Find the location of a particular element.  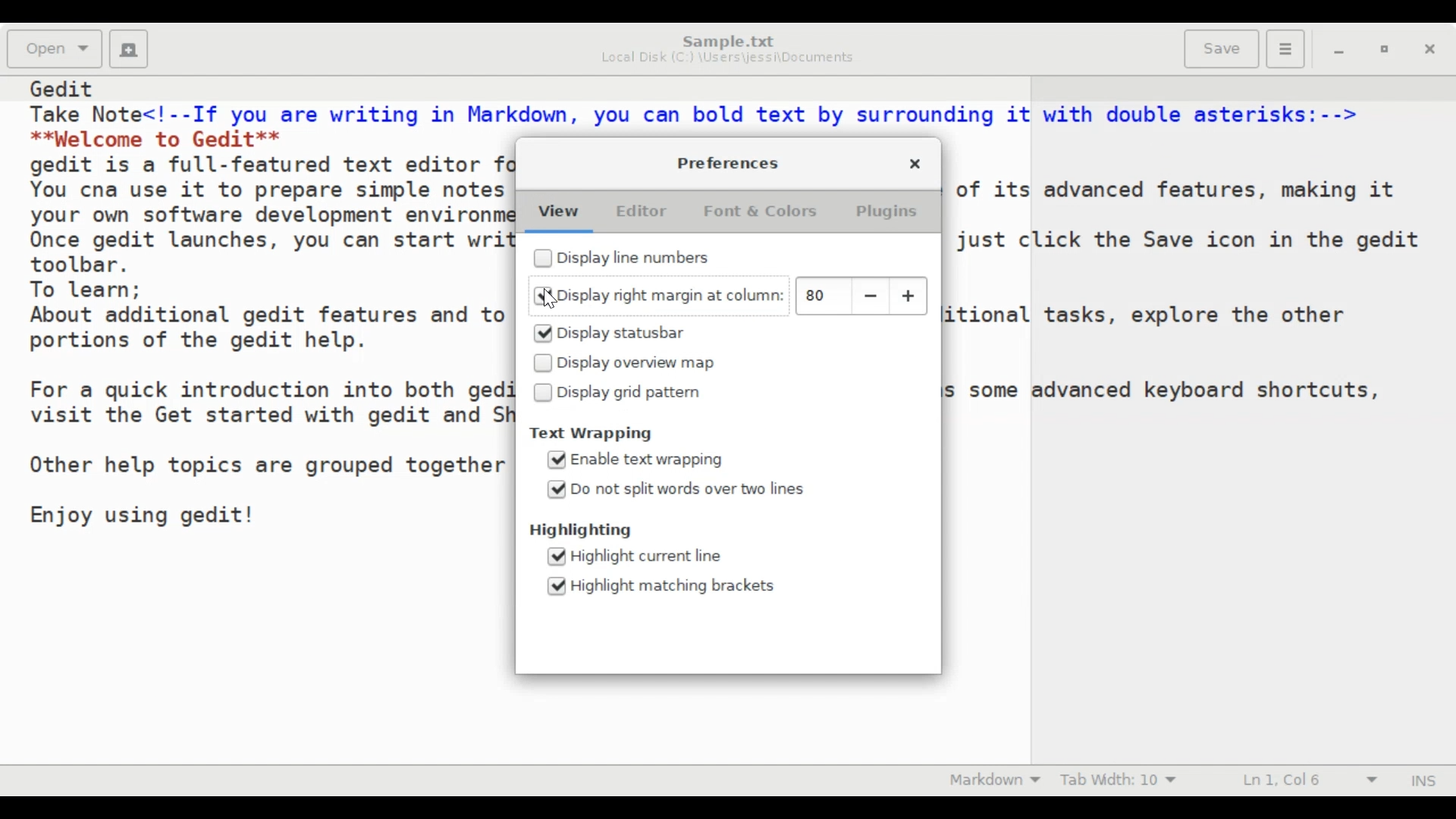

(un)select Display line numbers is located at coordinates (622, 256).